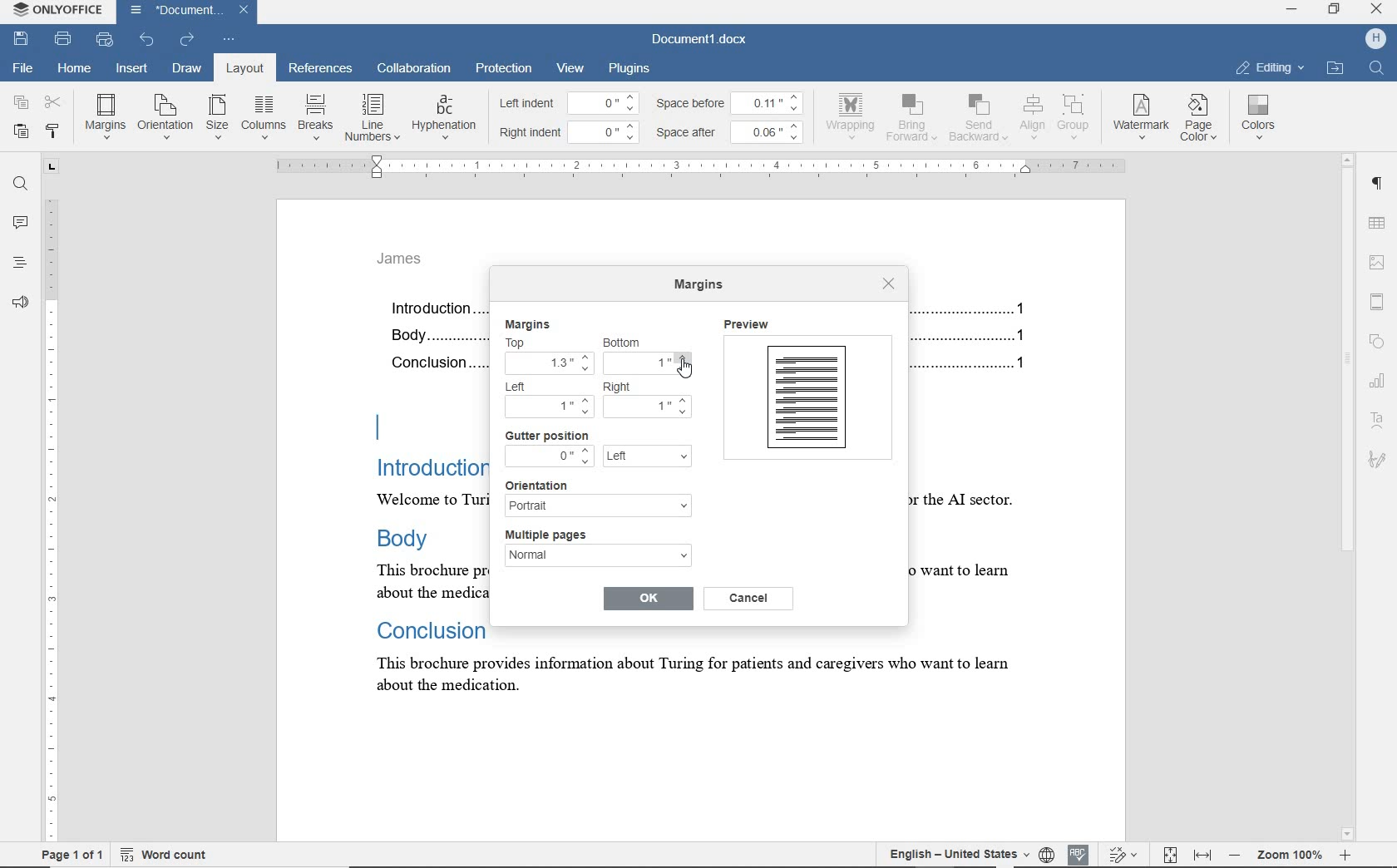 This screenshot has height=868, width=1397. Describe the element at coordinates (72, 69) in the screenshot. I see `home` at that location.